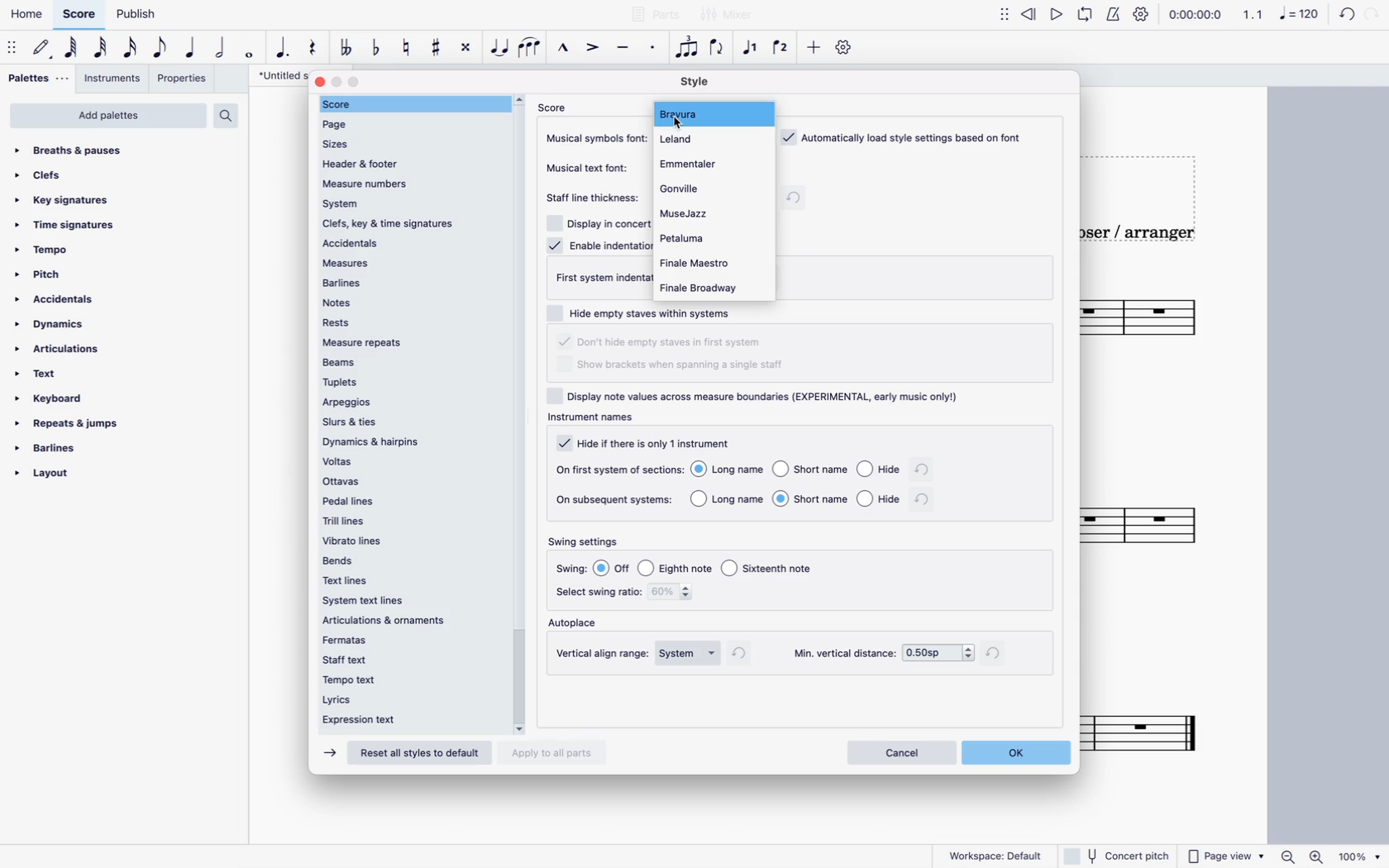  Describe the element at coordinates (600, 244) in the screenshot. I see `enable identation` at that location.